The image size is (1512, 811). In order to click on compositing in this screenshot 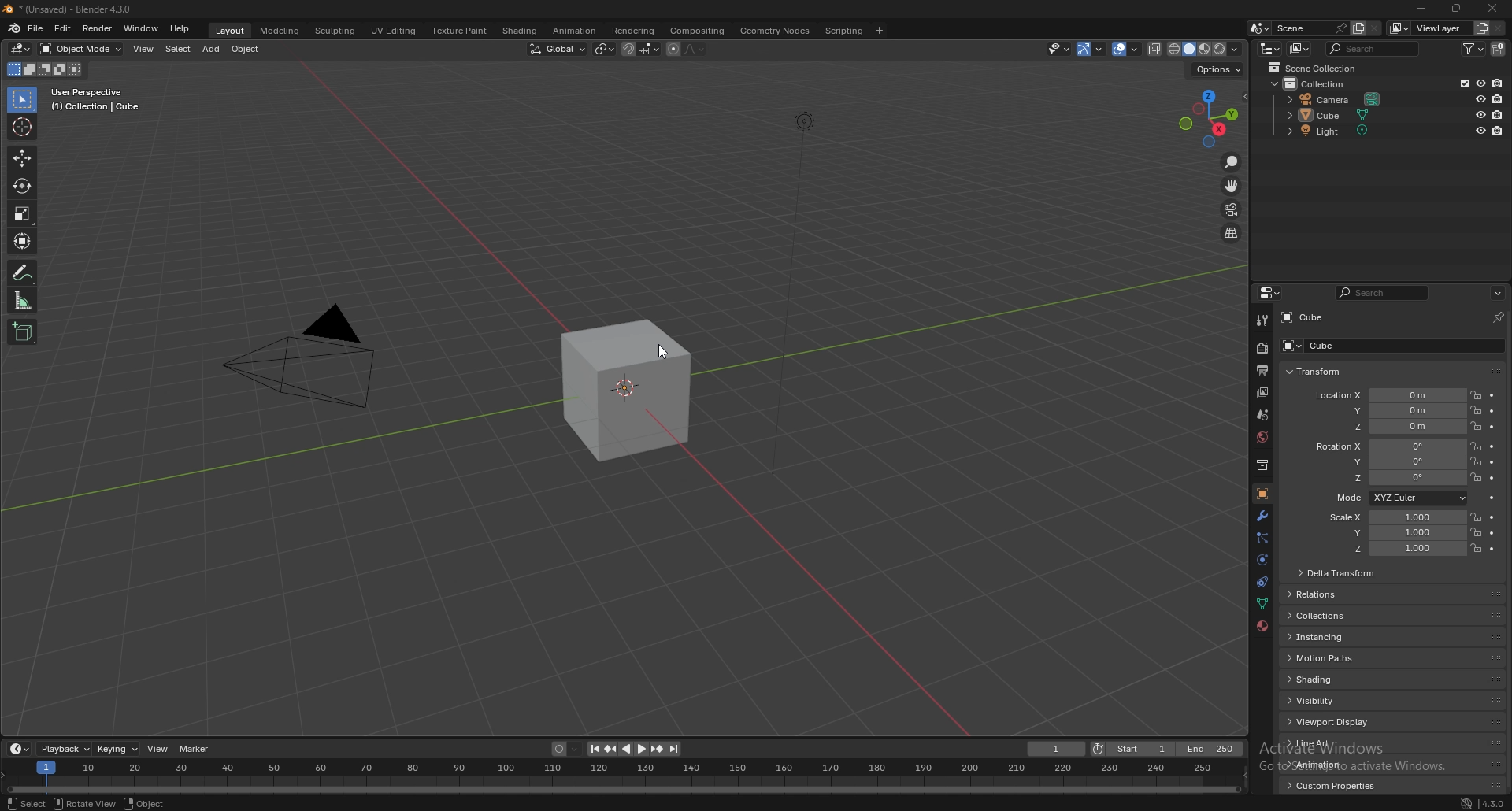, I will do `click(698, 31)`.